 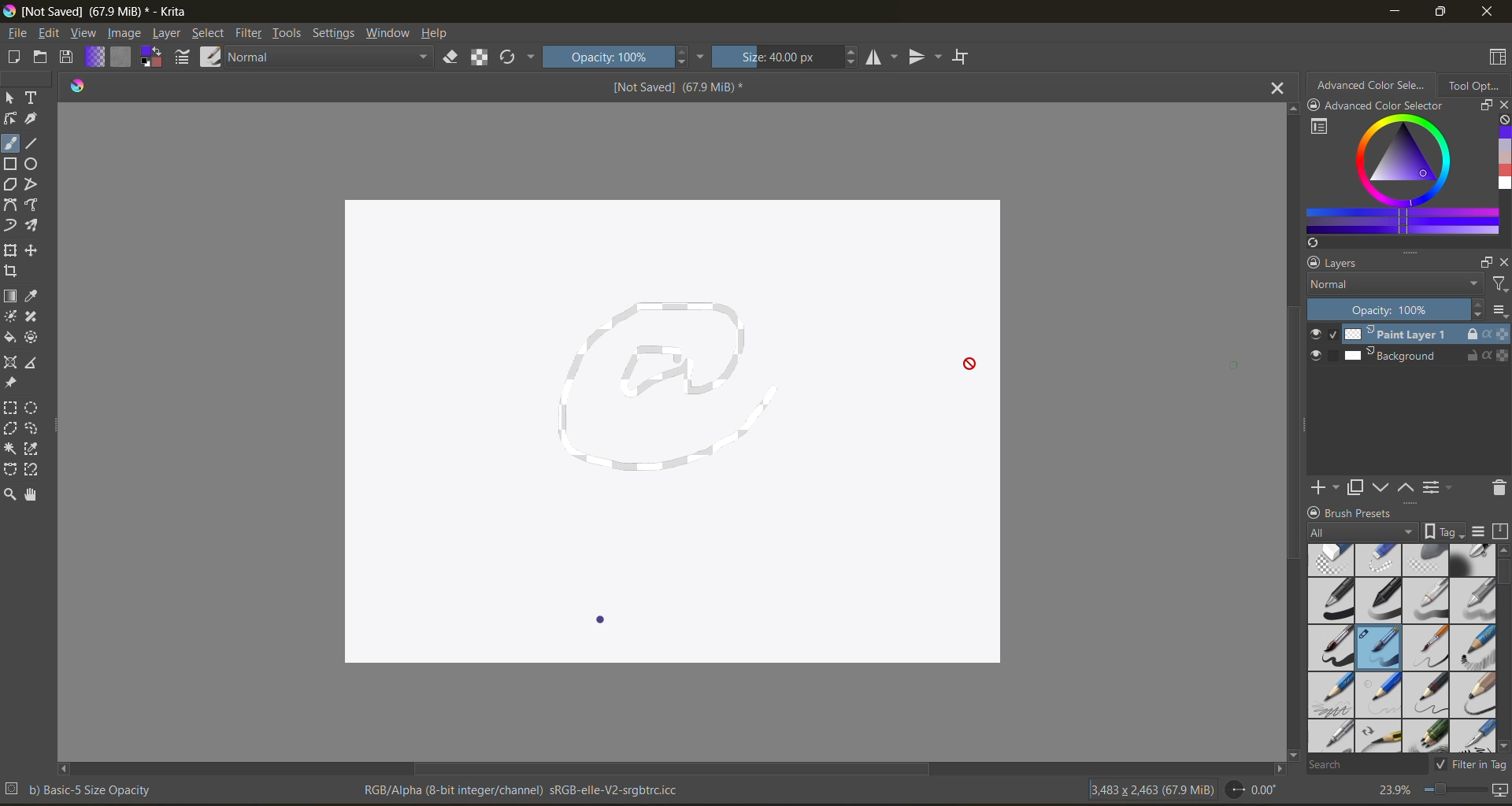 What do you see at coordinates (1473, 601) in the screenshot?
I see `grey pen` at bounding box center [1473, 601].